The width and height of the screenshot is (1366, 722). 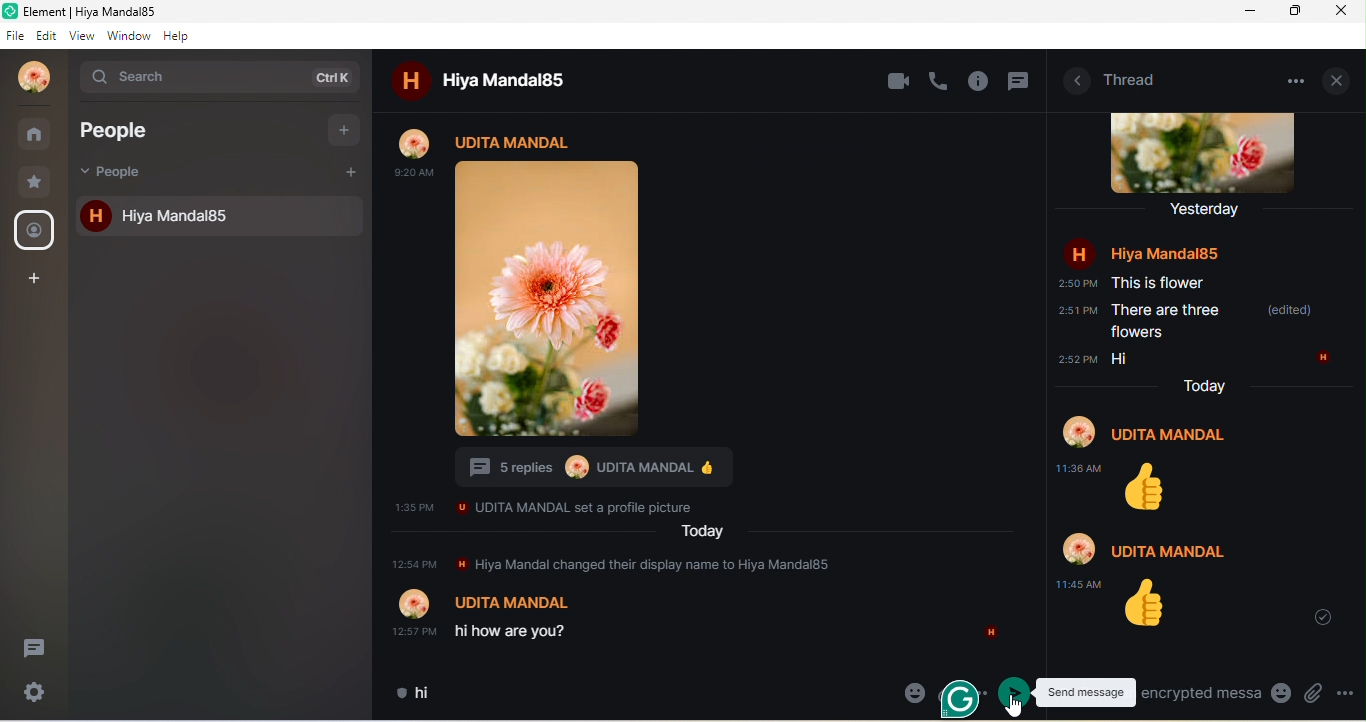 What do you see at coordinates (1287, 310) in the screenshot?
I see `(edited)` at bounding box center [1287, 310].